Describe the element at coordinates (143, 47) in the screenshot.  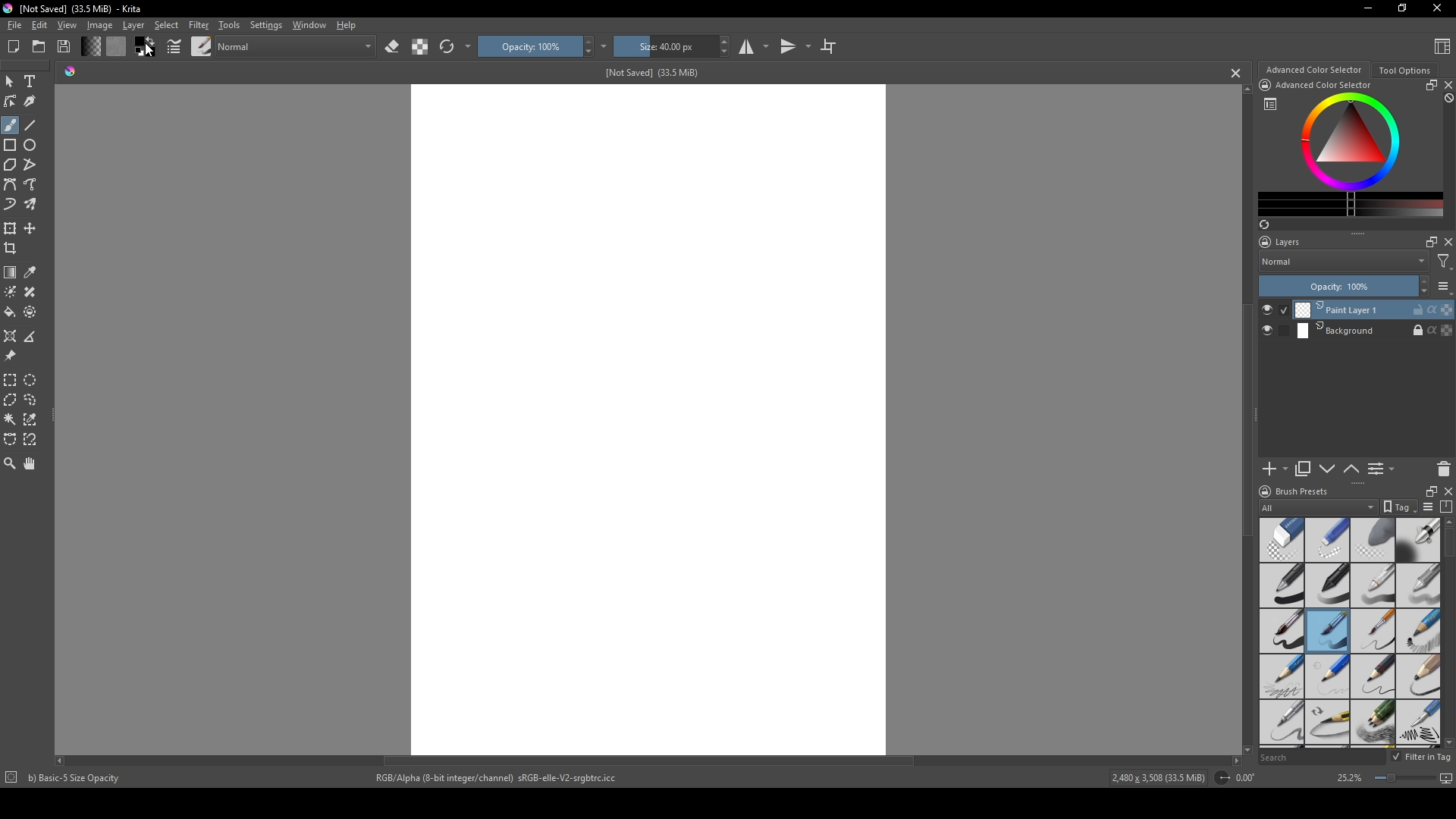
I see `color` at that location.